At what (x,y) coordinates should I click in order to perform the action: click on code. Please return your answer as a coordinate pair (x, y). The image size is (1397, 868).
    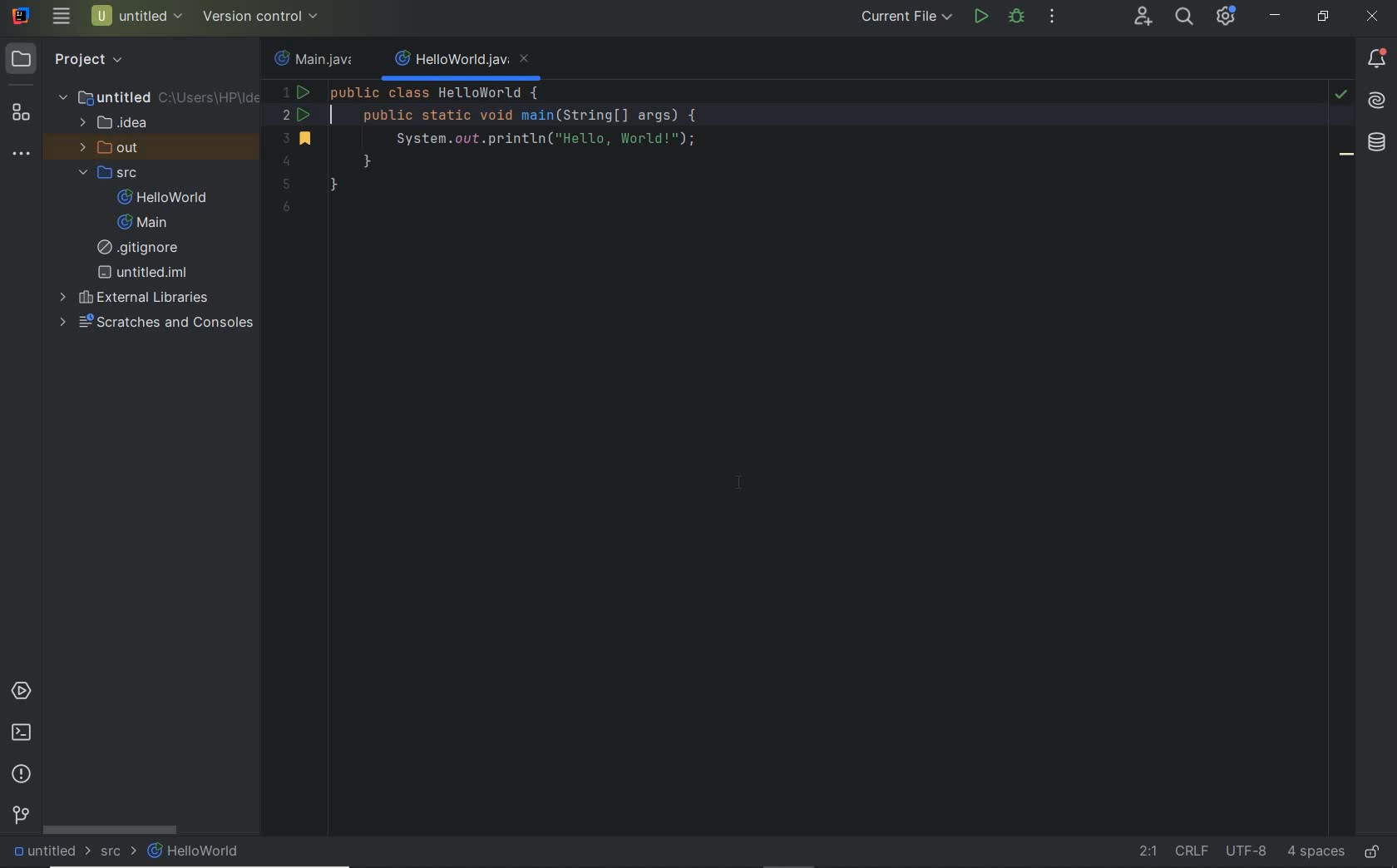
    Looking at the image, I should click on (778, 147).